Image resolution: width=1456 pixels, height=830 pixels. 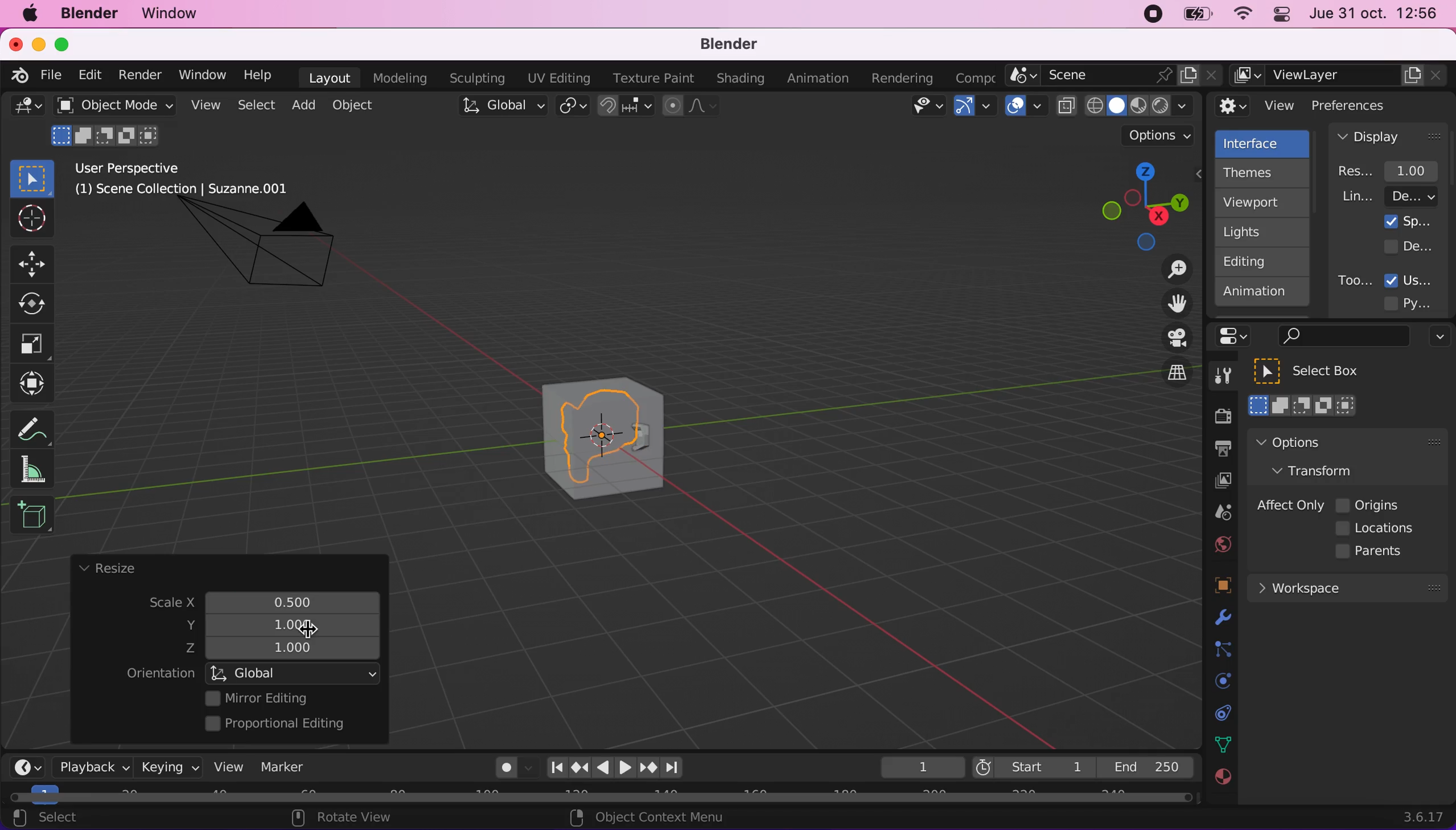 I want to click on transform, so click(x=35, y=384).